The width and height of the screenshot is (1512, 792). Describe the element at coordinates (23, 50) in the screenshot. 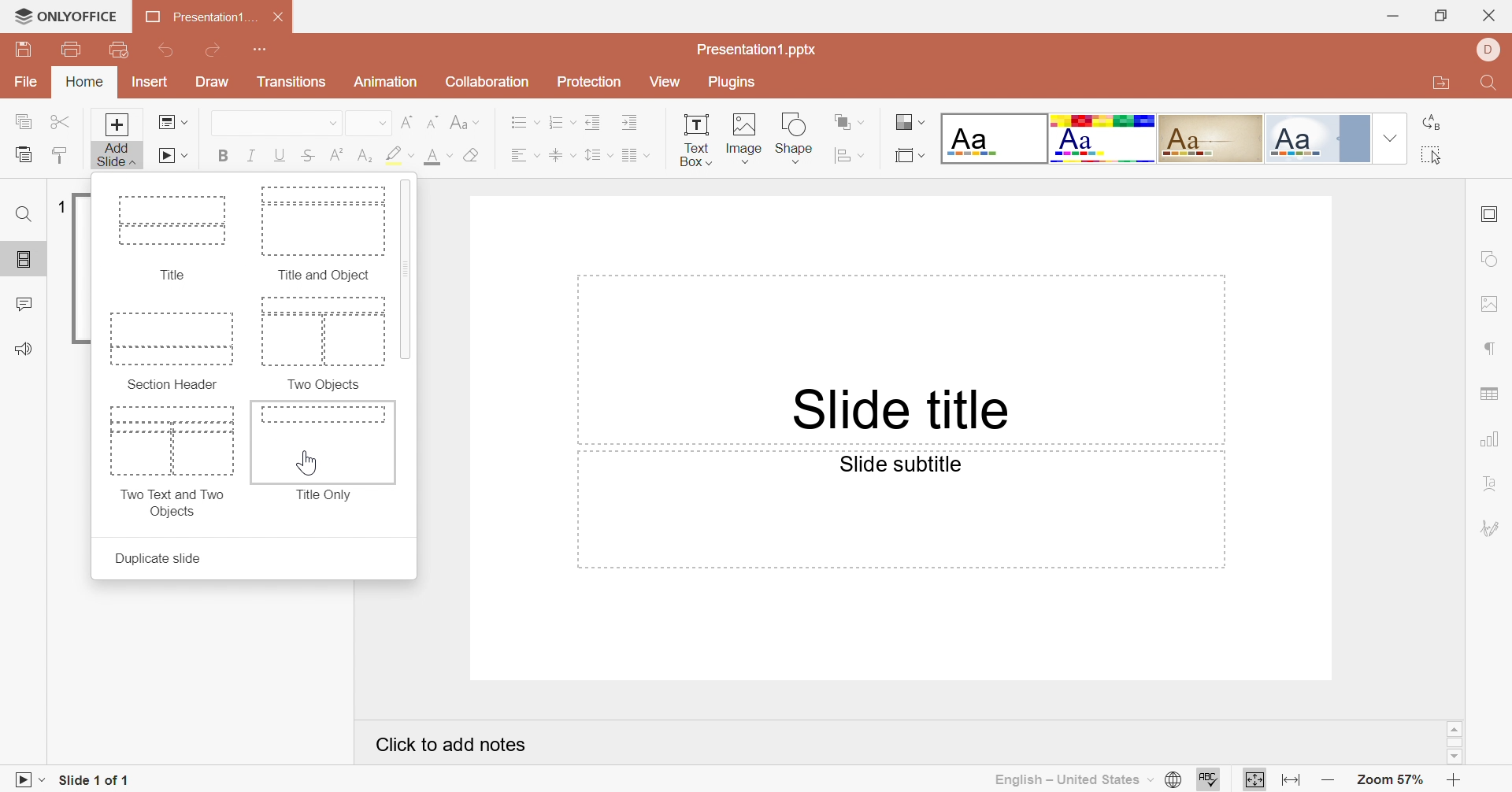

I see `Save` at that location.